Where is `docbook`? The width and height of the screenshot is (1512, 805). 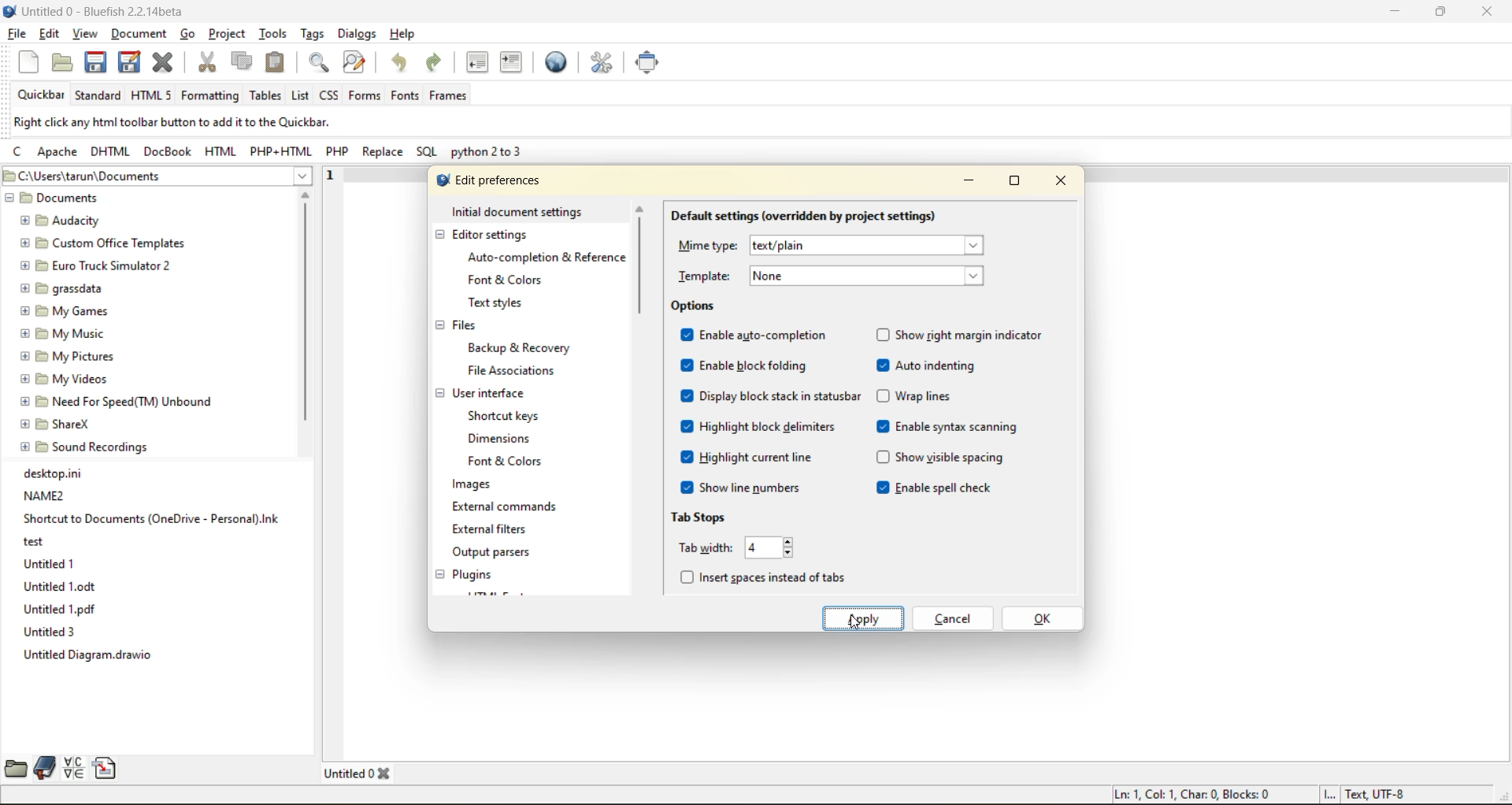 docbook is located at coordinates (166, 152).